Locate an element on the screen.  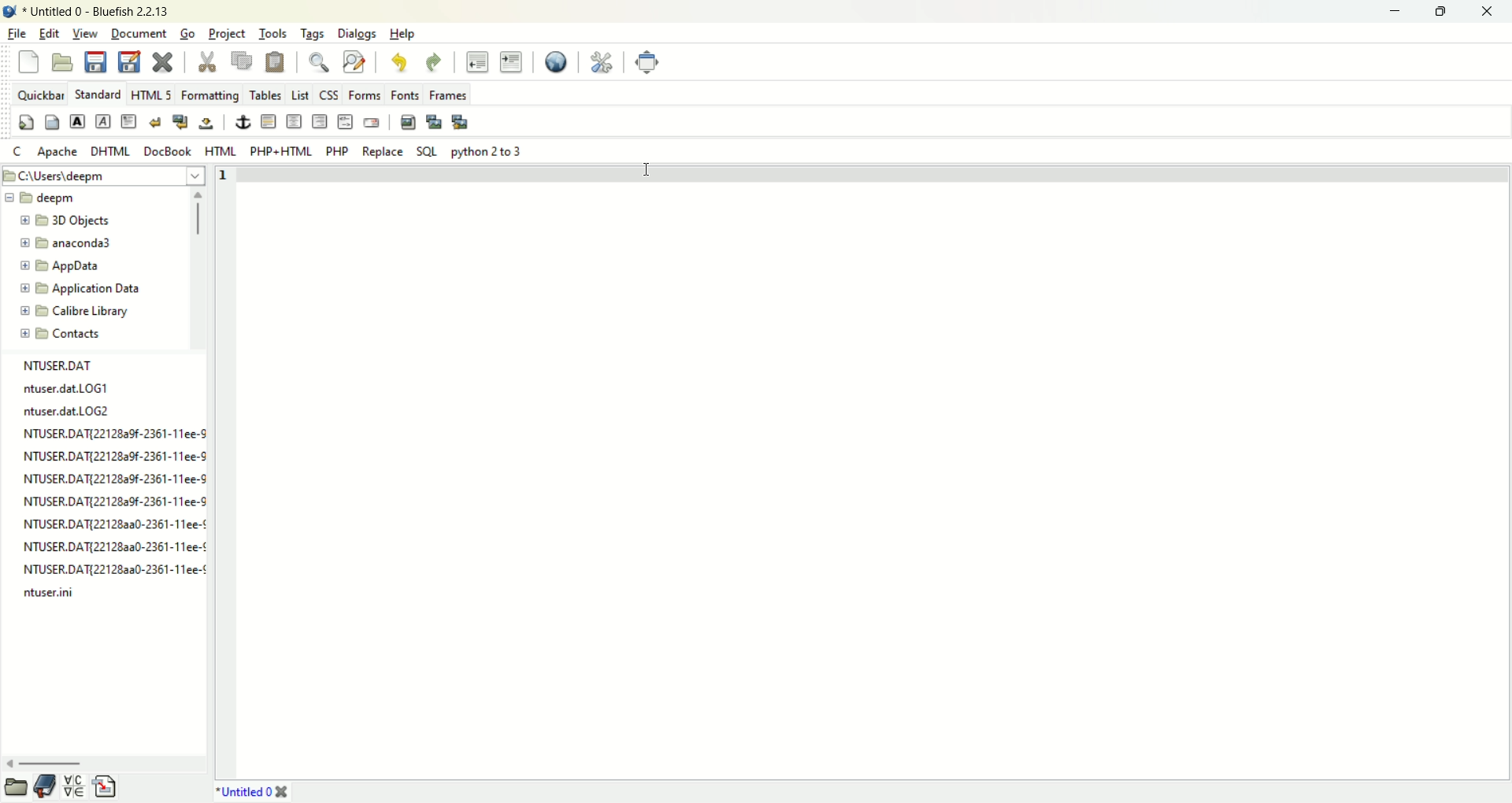
find and replace is located at coordinates (354, 64).